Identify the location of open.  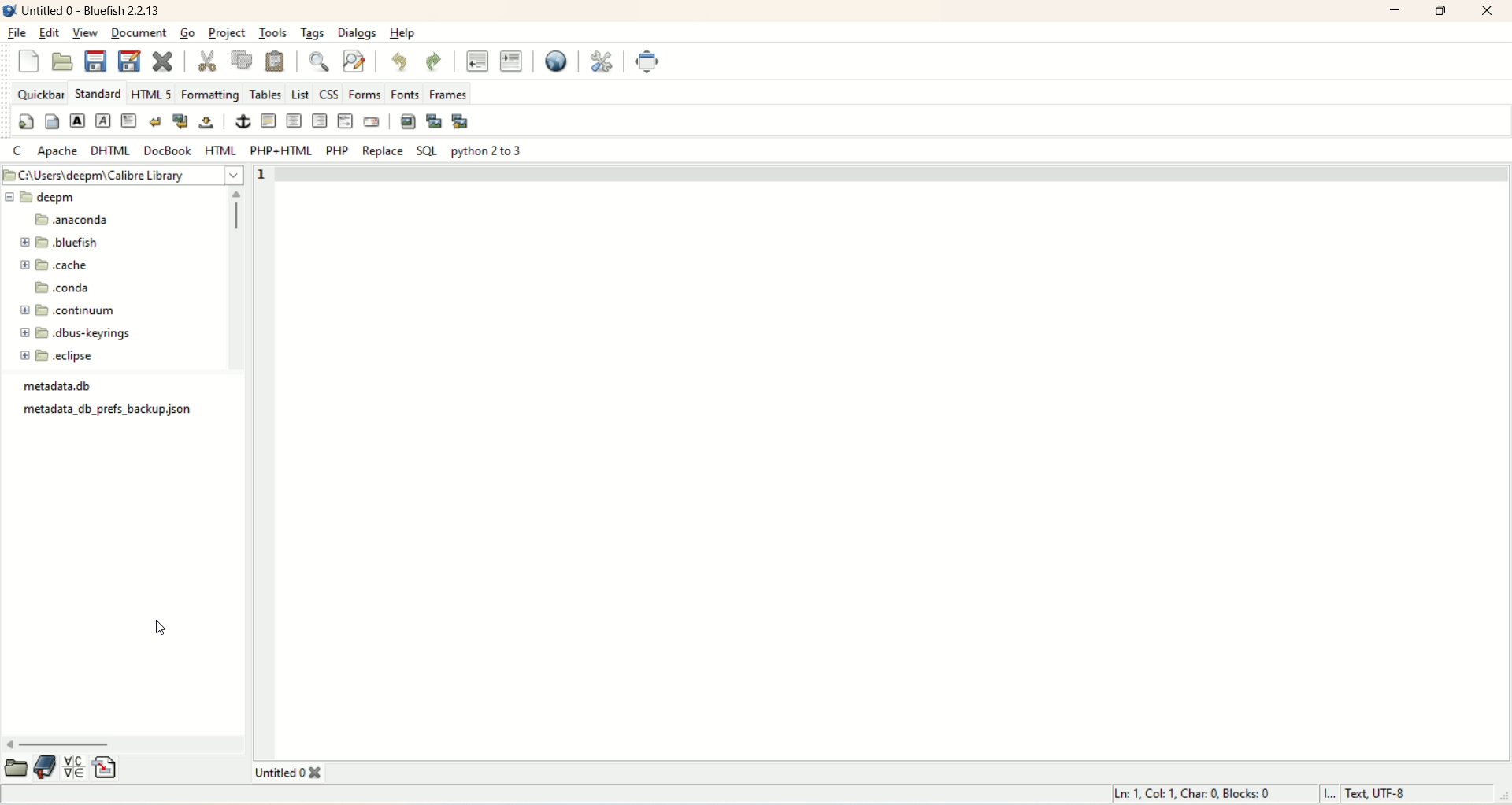
(17, 767).